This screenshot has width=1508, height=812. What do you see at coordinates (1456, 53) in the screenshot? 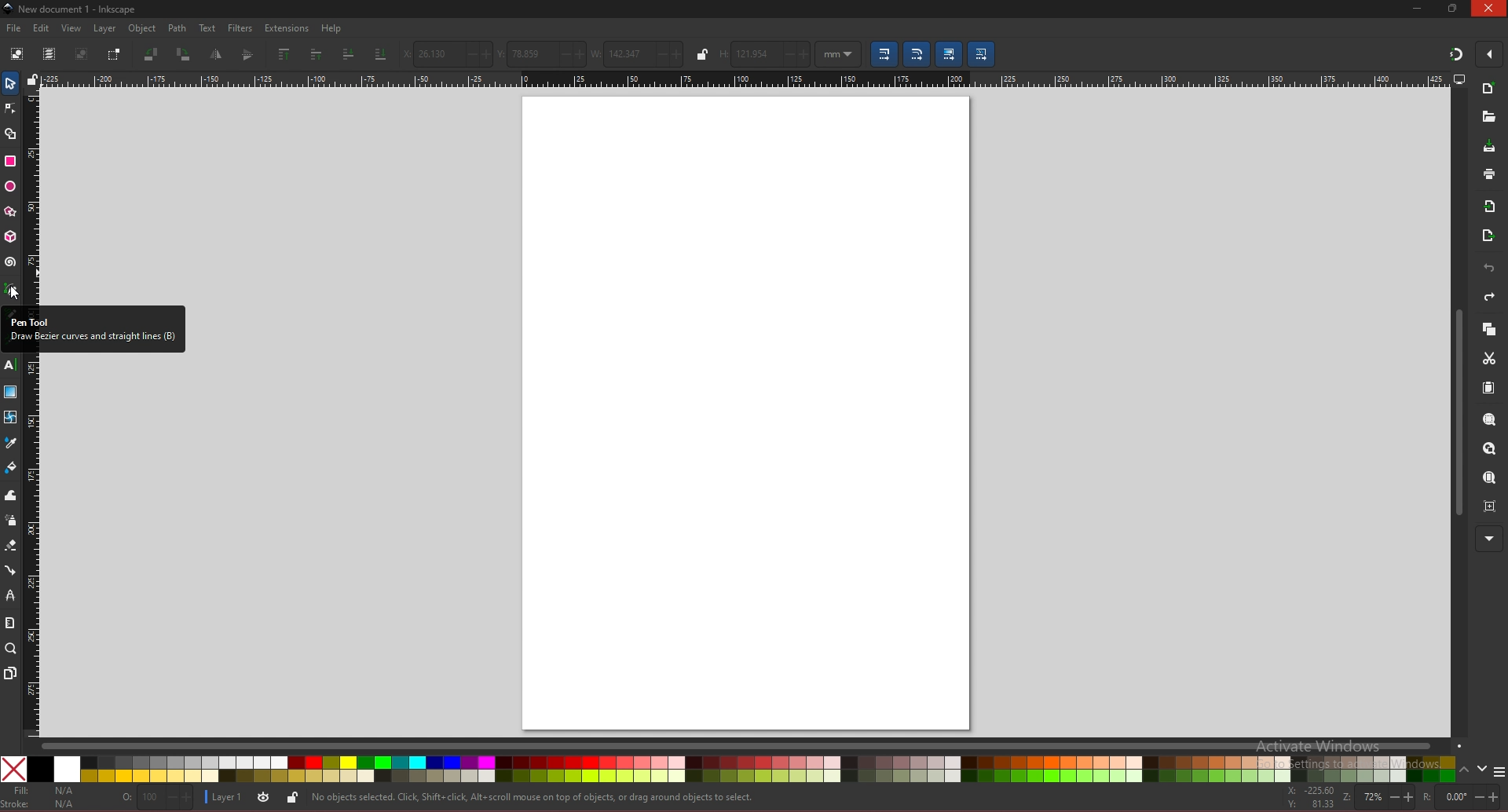
I see `snapping` at bounding box center [1456, 53].